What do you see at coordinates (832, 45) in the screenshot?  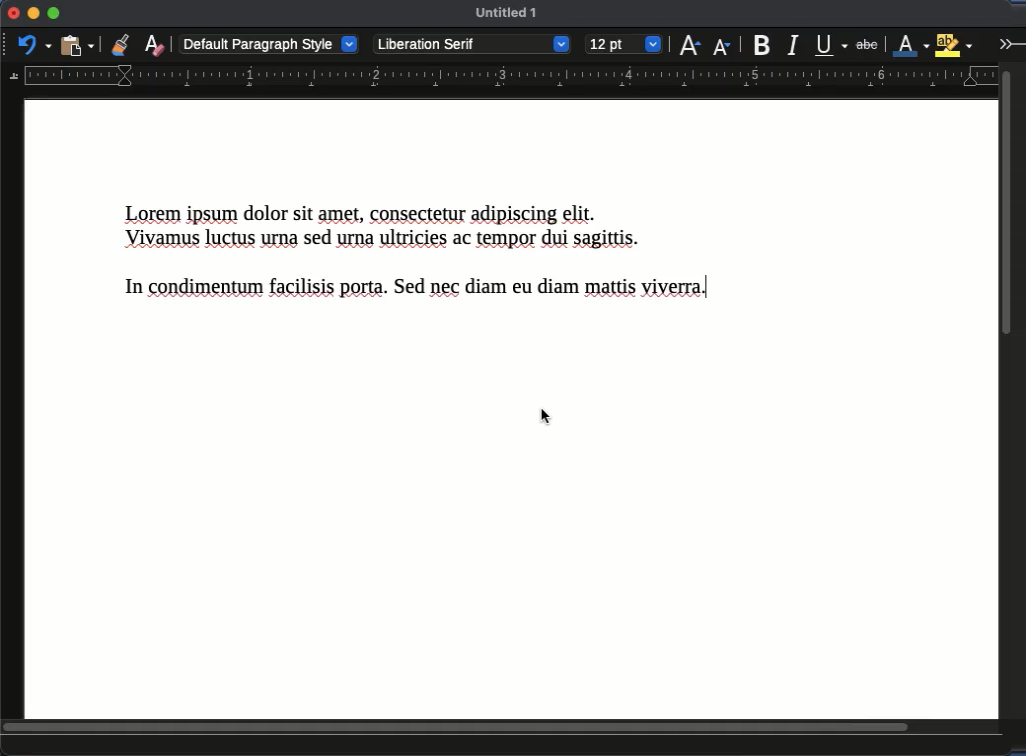 I see `underline ` at bounding box center [832, 45].